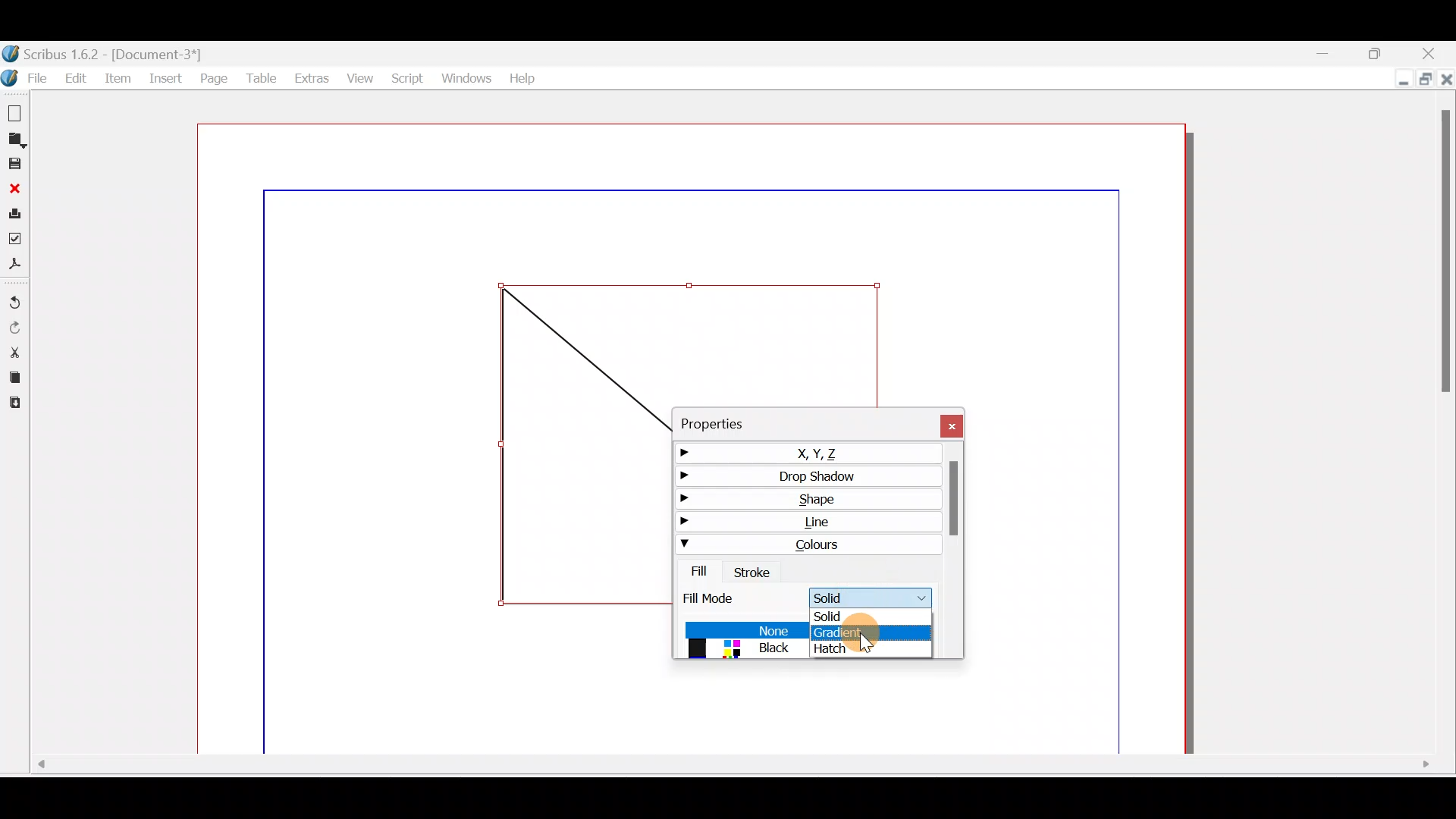  Describe the element at coordinates (873, 617) in the screenshot. I see `Solid` at that location.